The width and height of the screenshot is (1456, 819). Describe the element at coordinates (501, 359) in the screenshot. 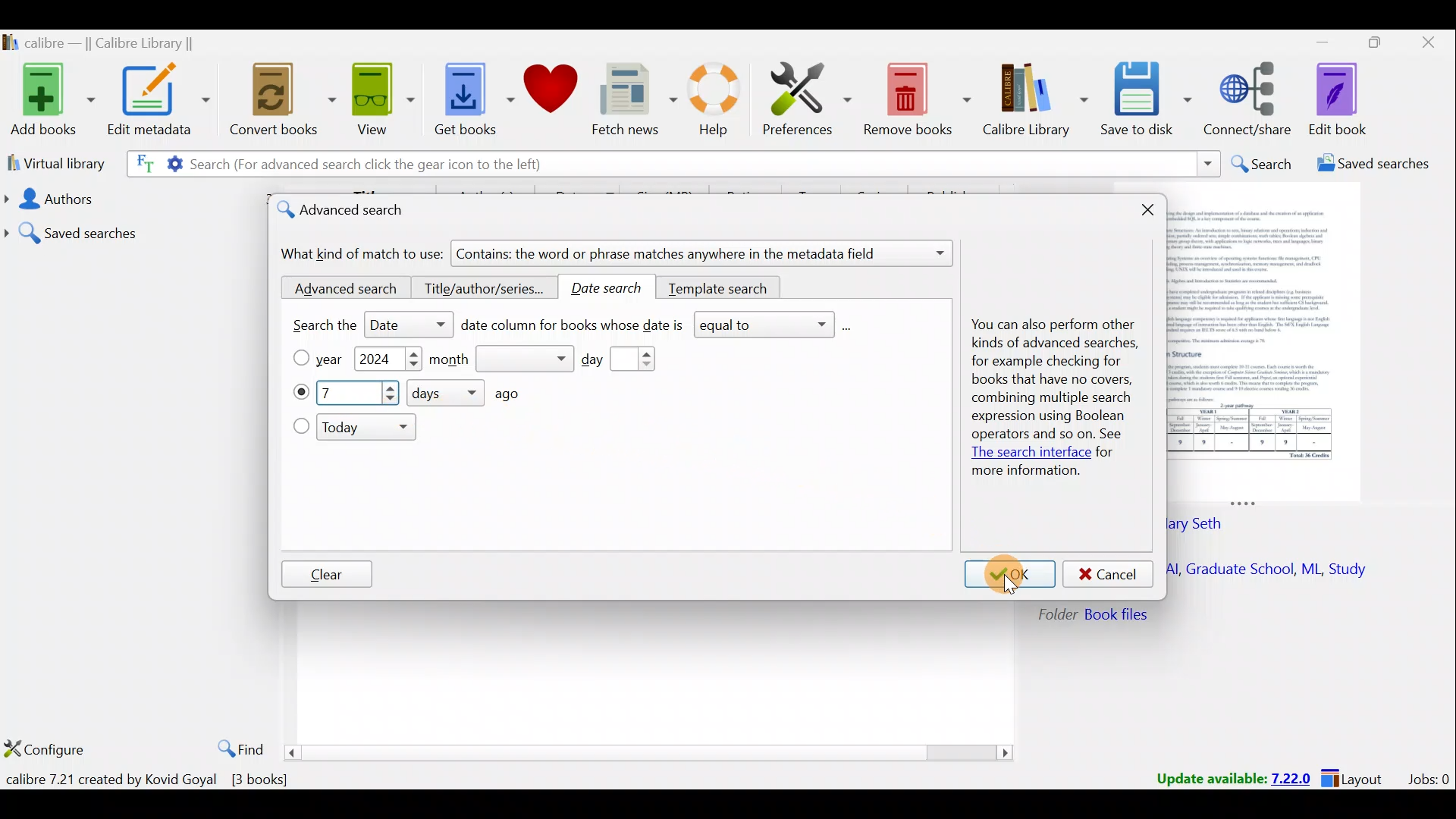

I see `Month` at that location.